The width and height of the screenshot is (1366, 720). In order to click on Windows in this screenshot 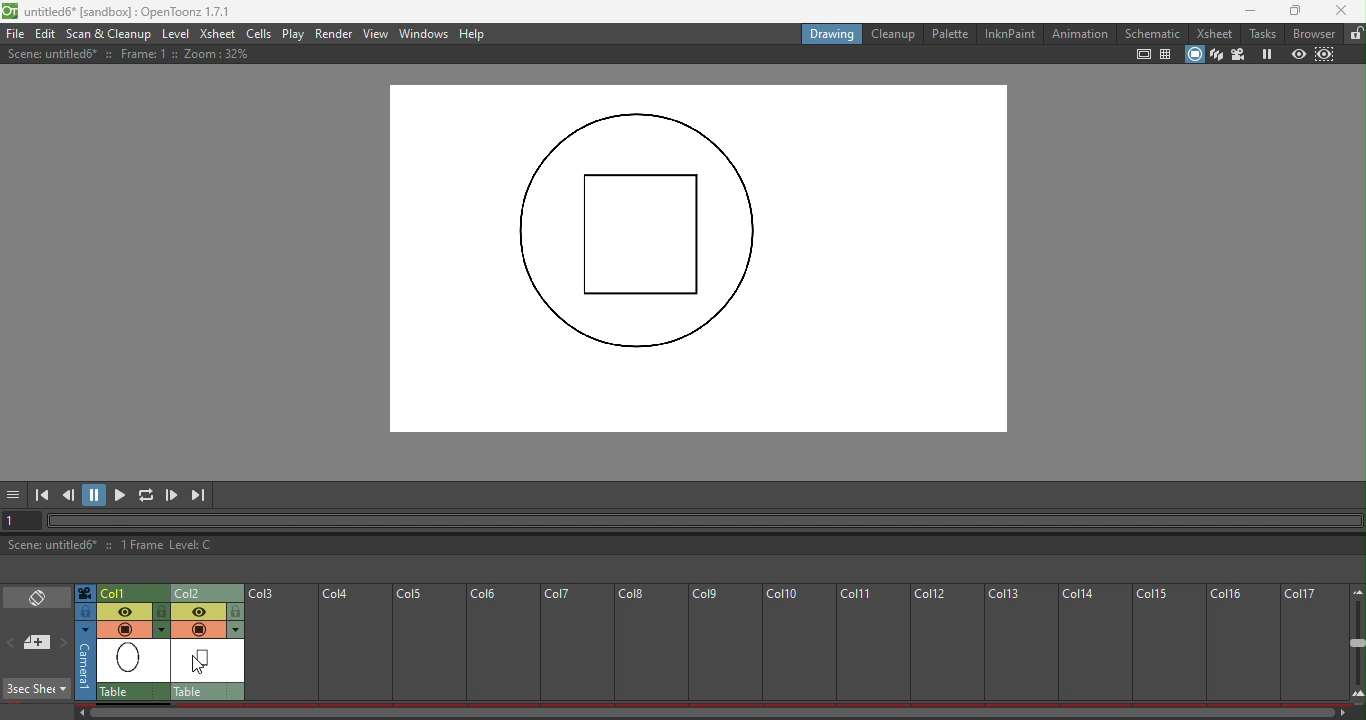, I will do `click(424, 35)`.